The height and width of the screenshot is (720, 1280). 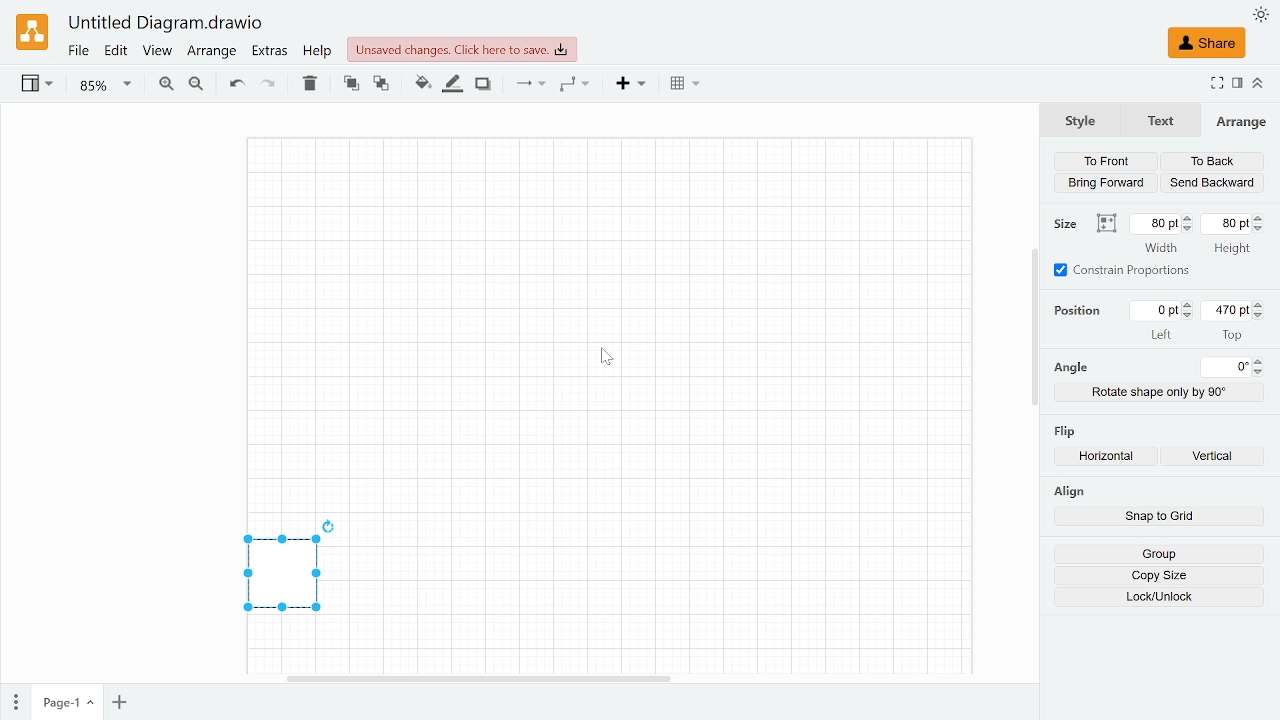 What do you see at coordinates (528, 84) in the screenshot?
I see `Connections` at bounding box center [528, 84].